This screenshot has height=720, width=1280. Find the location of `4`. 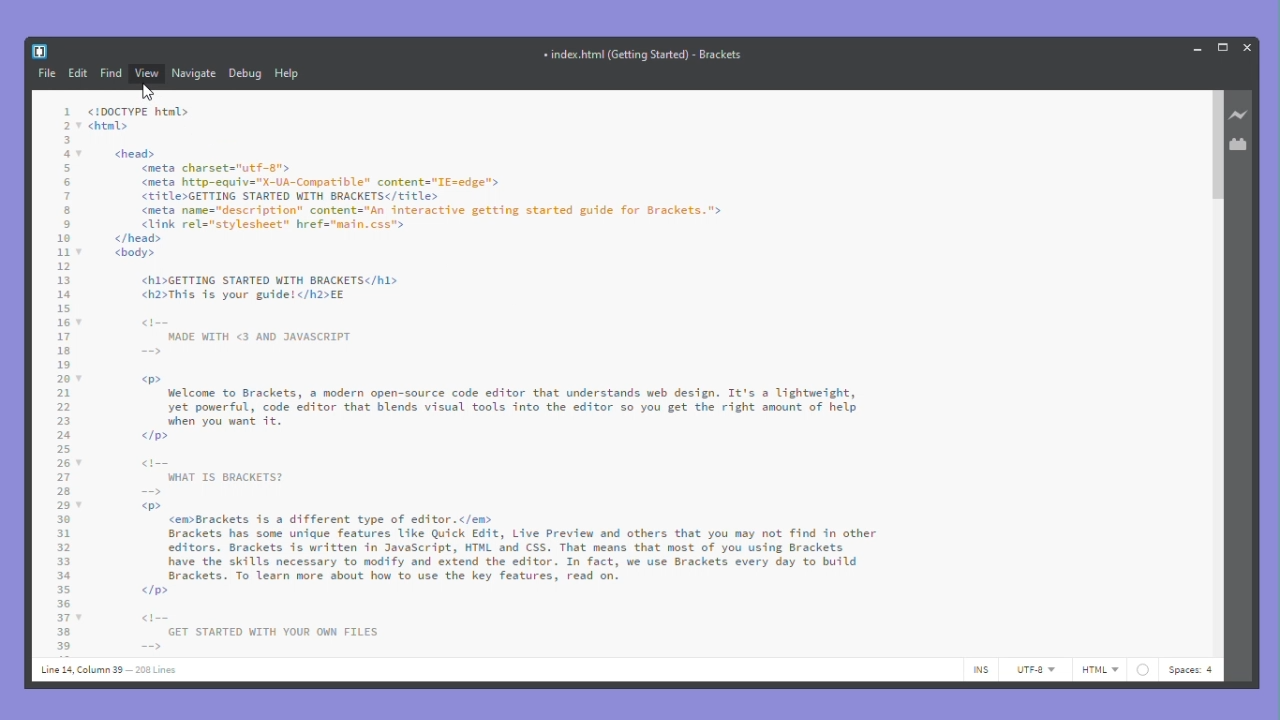

4 is located at coordinates (65, 154).